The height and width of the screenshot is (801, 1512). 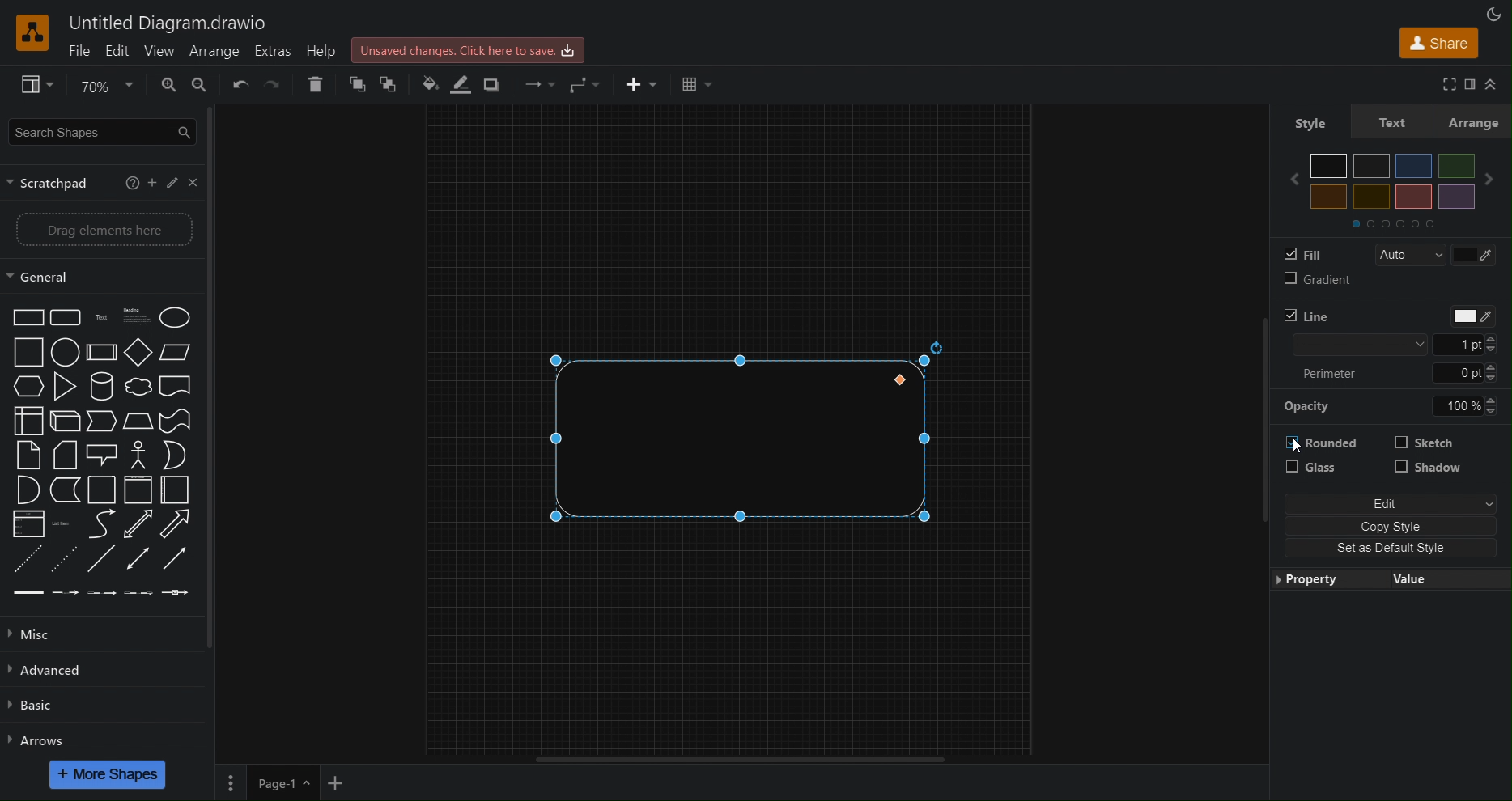 I want to click on Format, so click(x=1467, y=85).